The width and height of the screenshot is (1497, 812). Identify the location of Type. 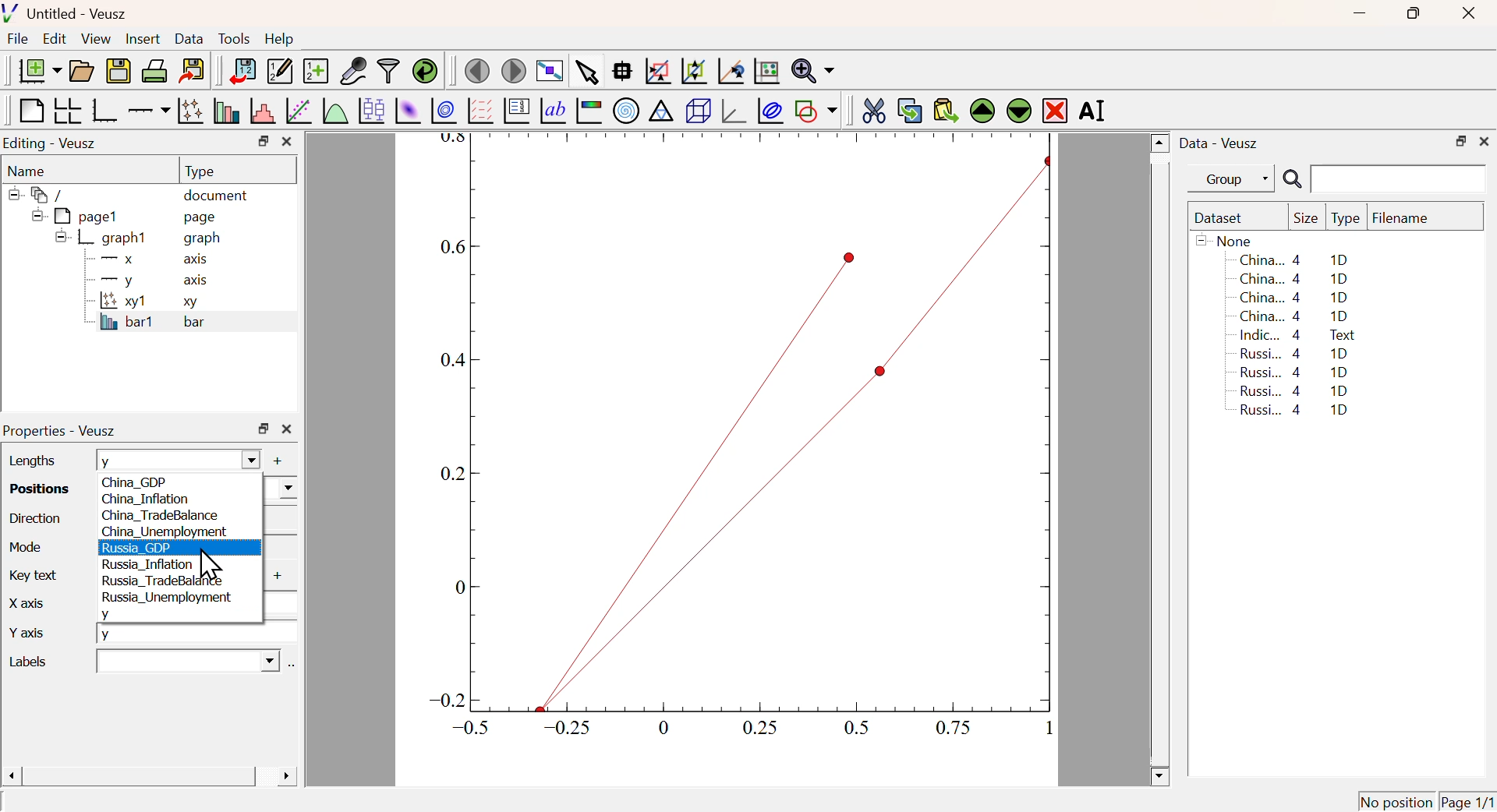
(1346, 219).